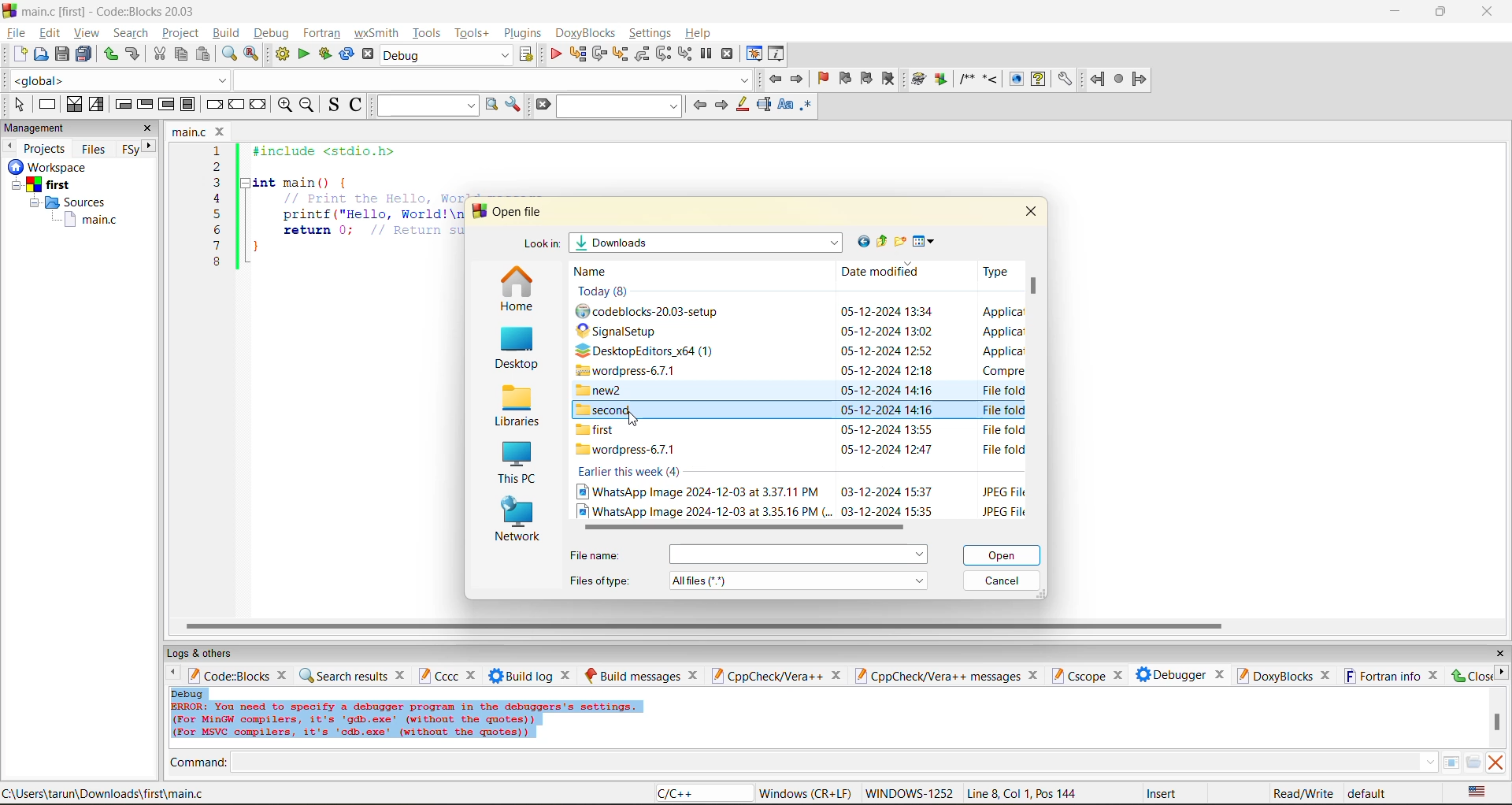  I want to click on build, so click(282, 54).